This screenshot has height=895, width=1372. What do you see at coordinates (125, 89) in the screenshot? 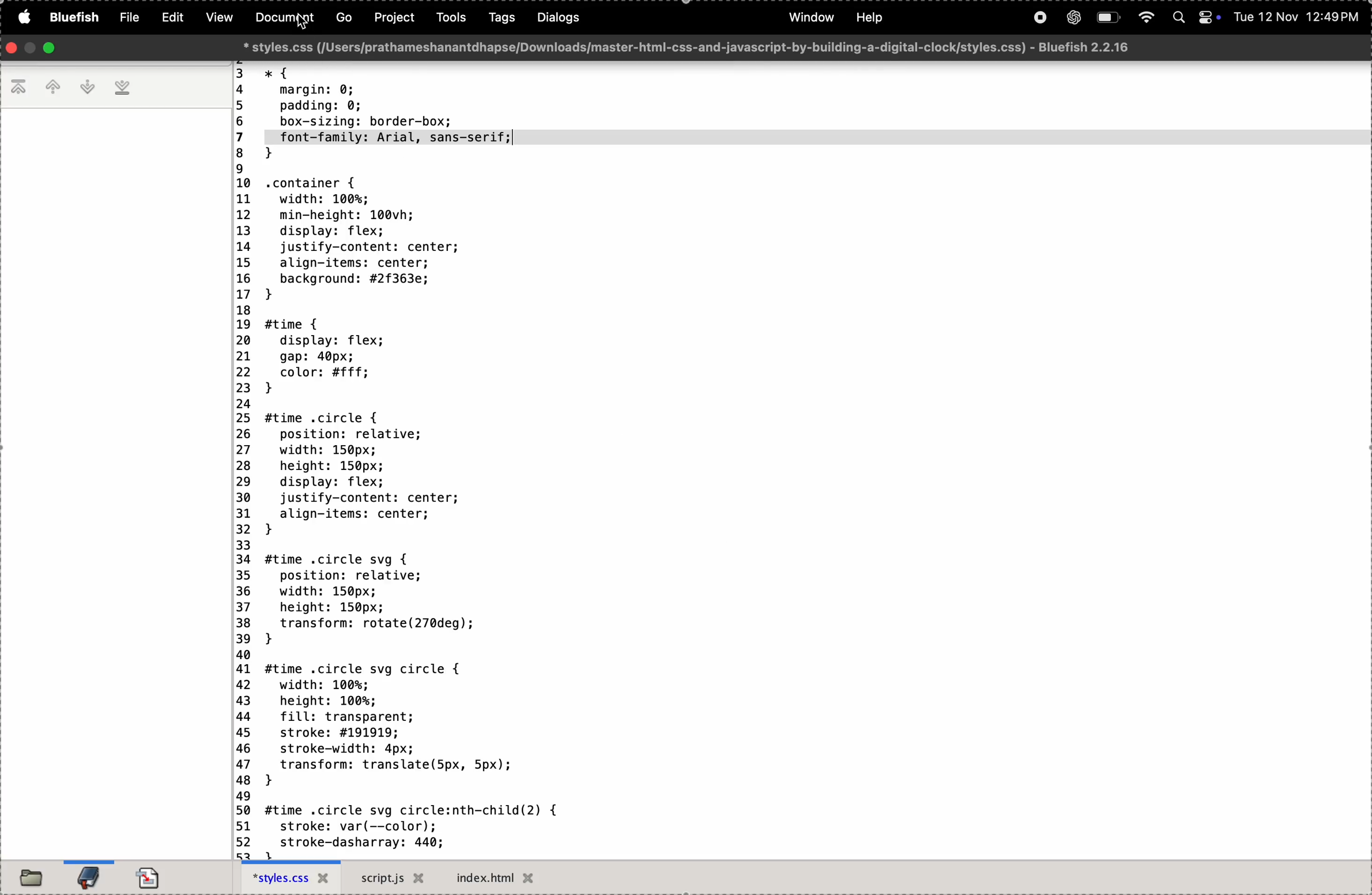
I see `last book mark` at bounding box center [125, 89].